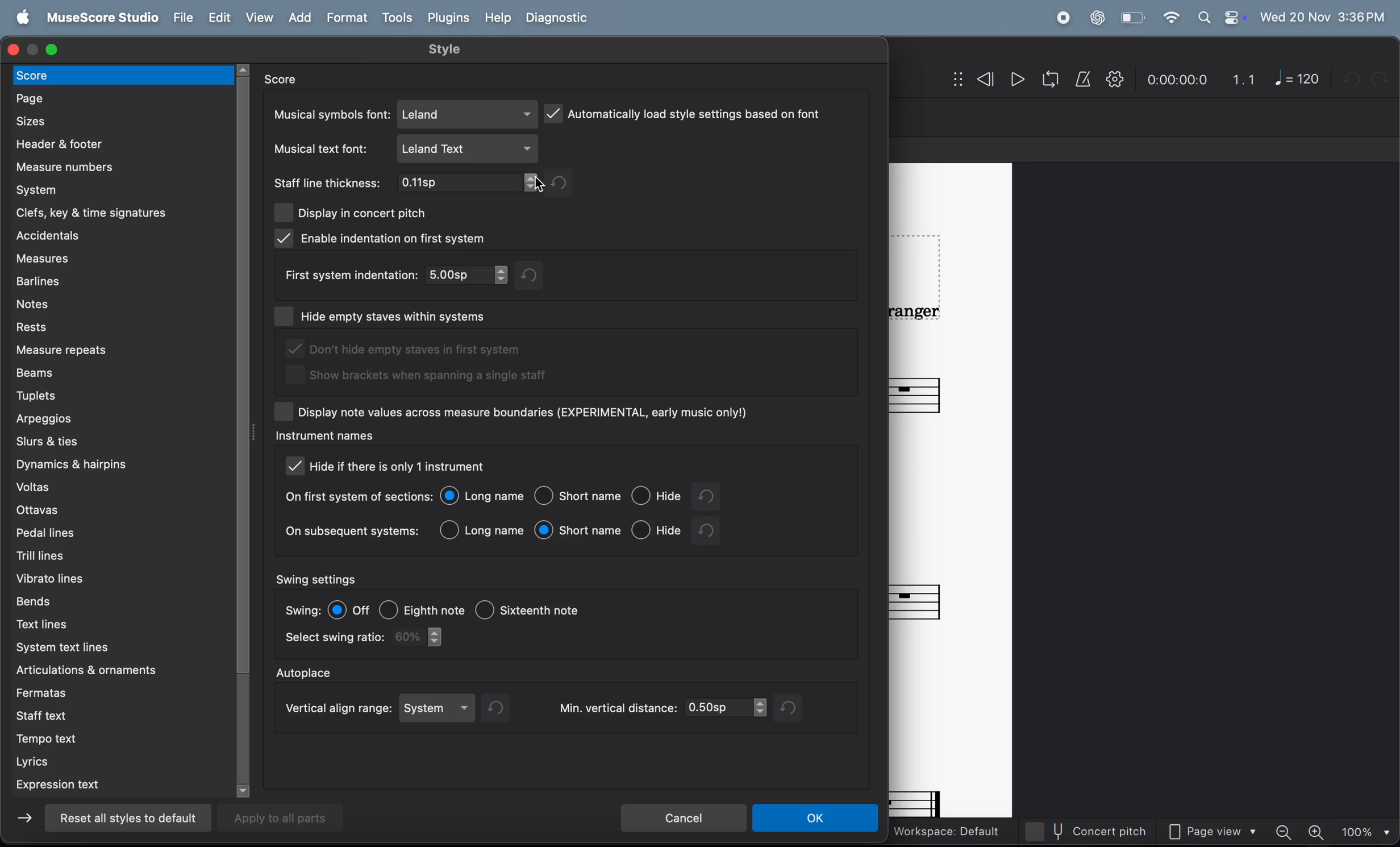 The width and height of the screenshot is (1400, 847). Describe the element at coordinates (118, 488) in the screenshot. I see `voltas` at that location.